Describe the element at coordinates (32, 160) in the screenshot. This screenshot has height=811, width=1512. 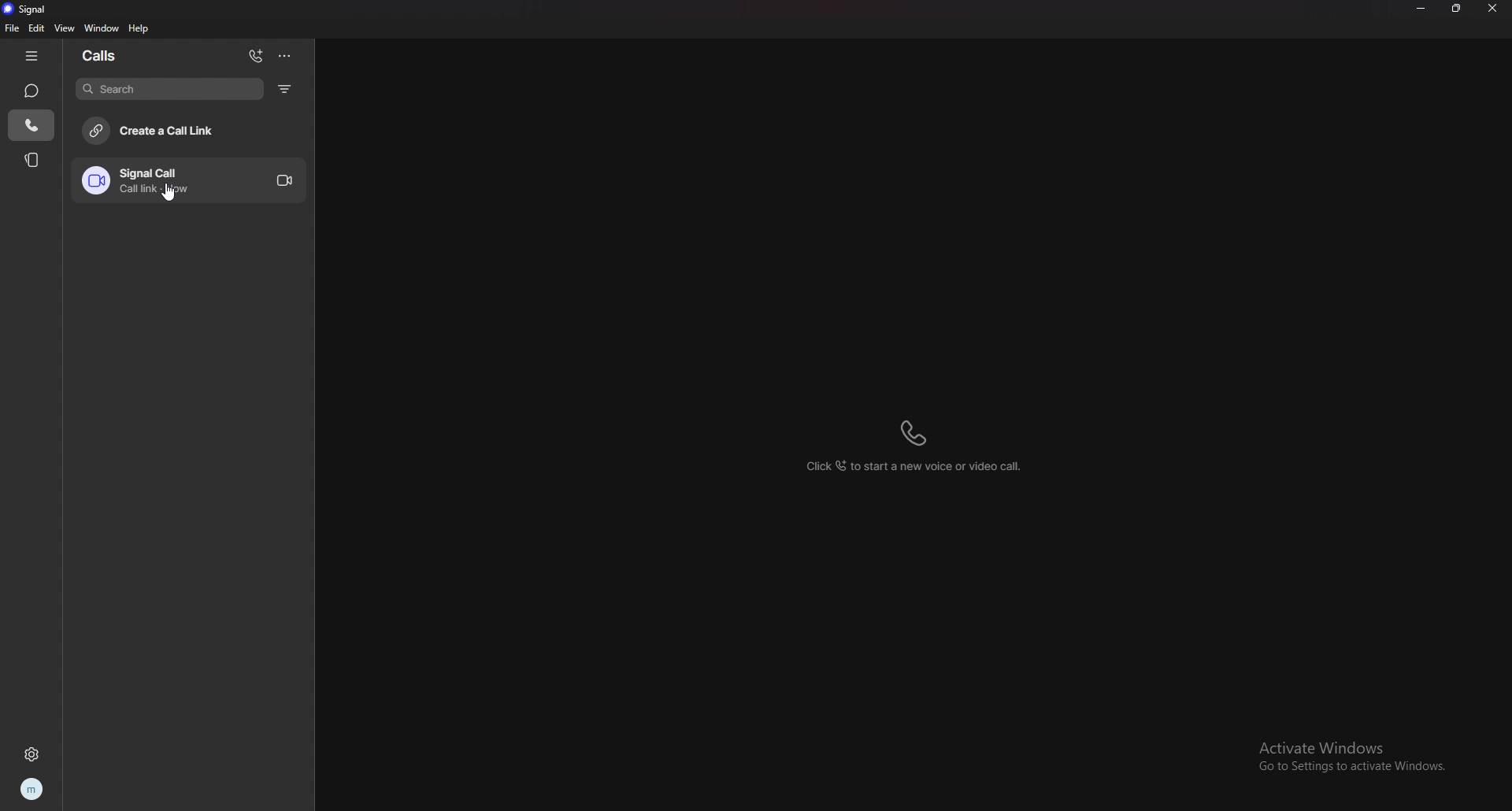
I see `stories` at that location.